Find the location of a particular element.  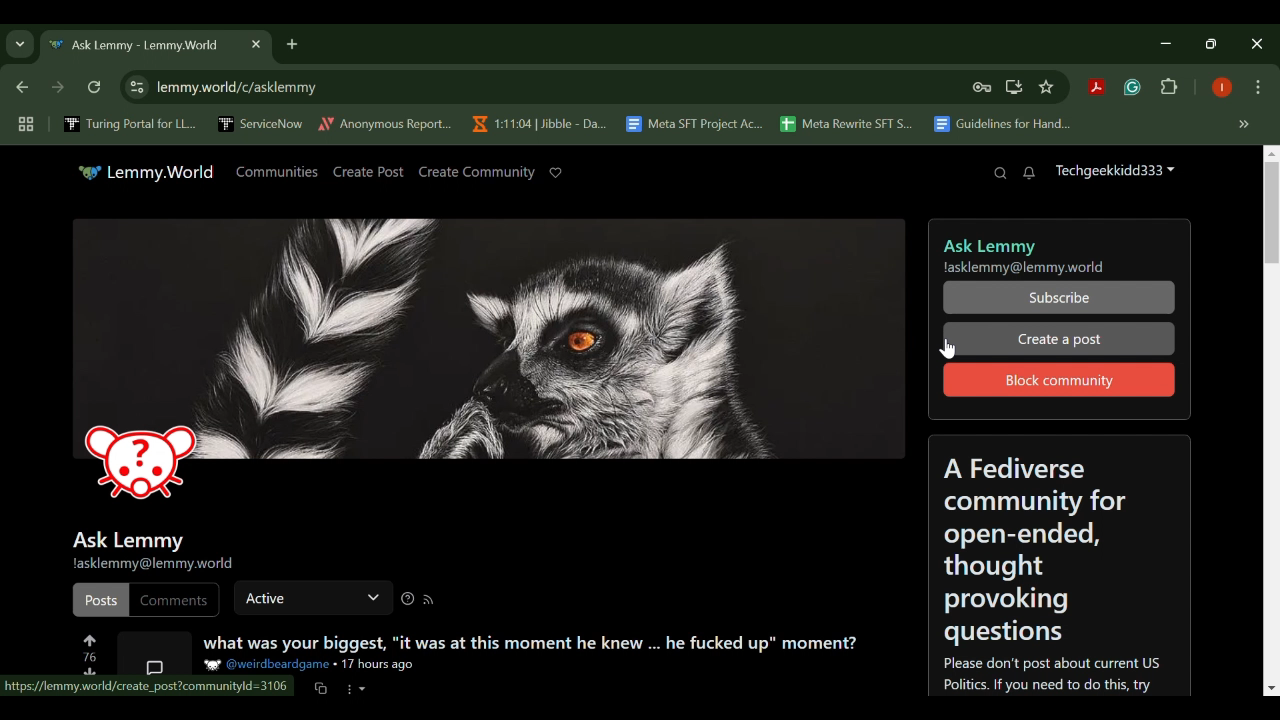

Minimize Window is located at coordinates (1214, 43).